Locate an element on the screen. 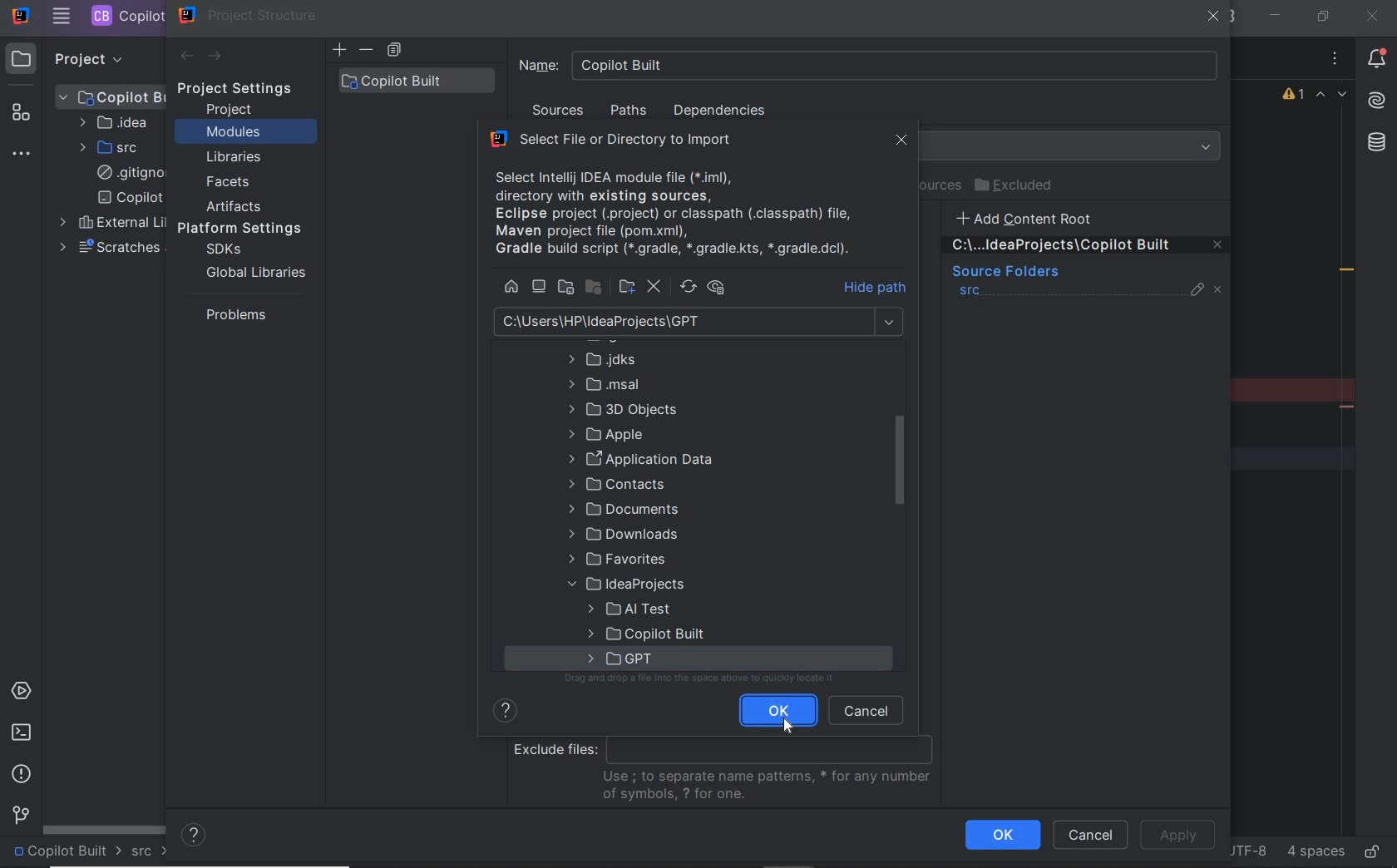 This screenshot has height=868, width=1397. .gitignore is located at coordinates (127, 174).